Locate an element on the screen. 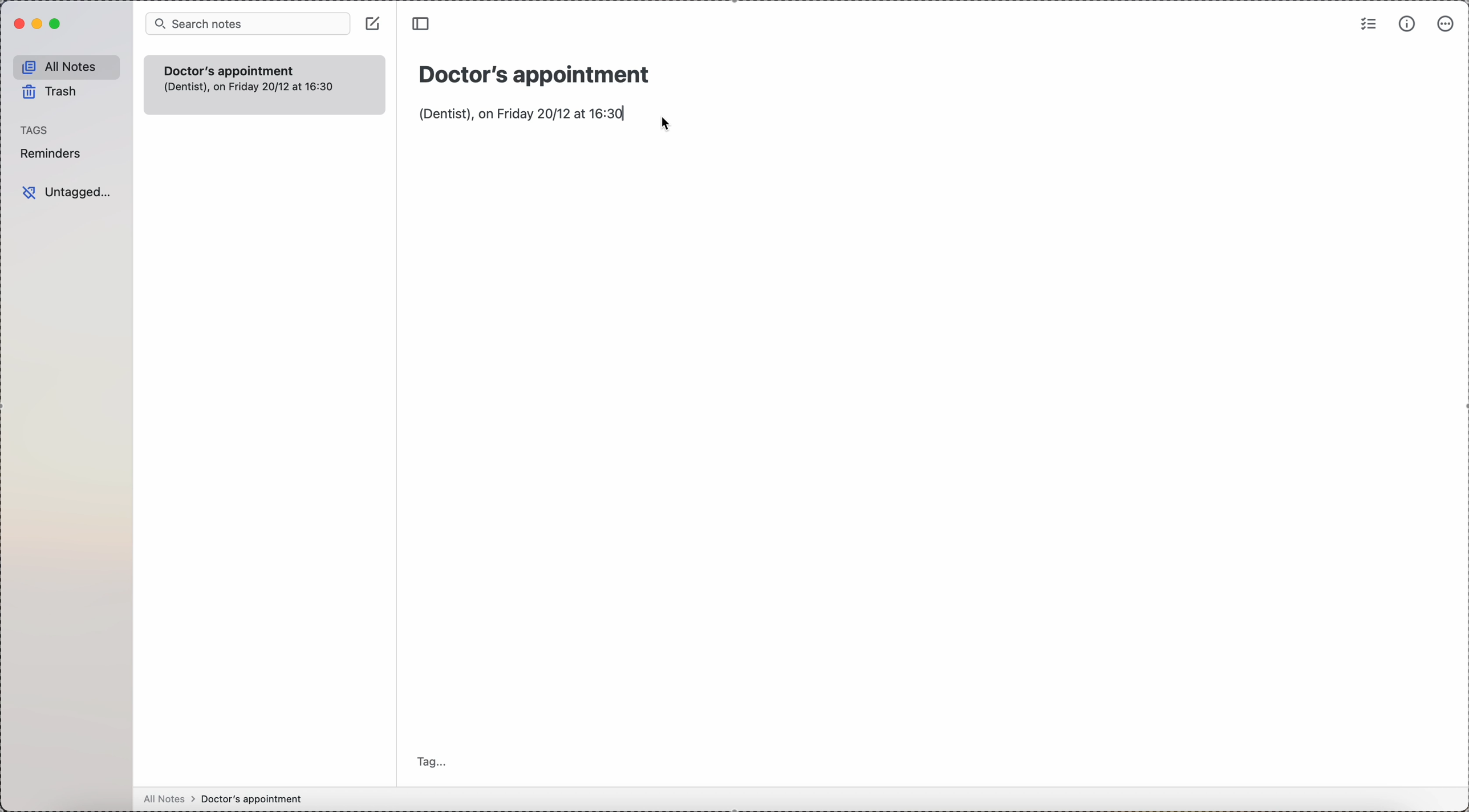 This screenshot has height=812, width=1469. tags is located at coordinates (33, 130).